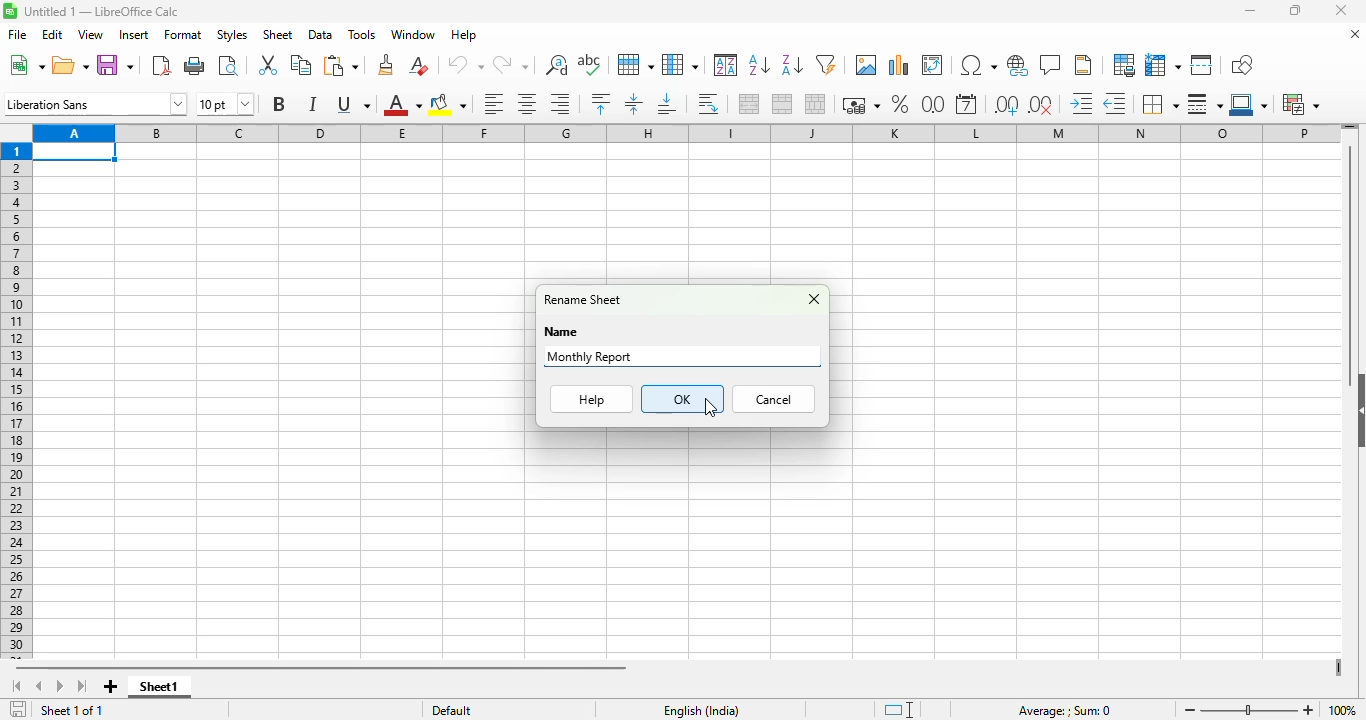  Describe the element at coordinates (1357, 410) in the screenshot. I see `show` at that location.